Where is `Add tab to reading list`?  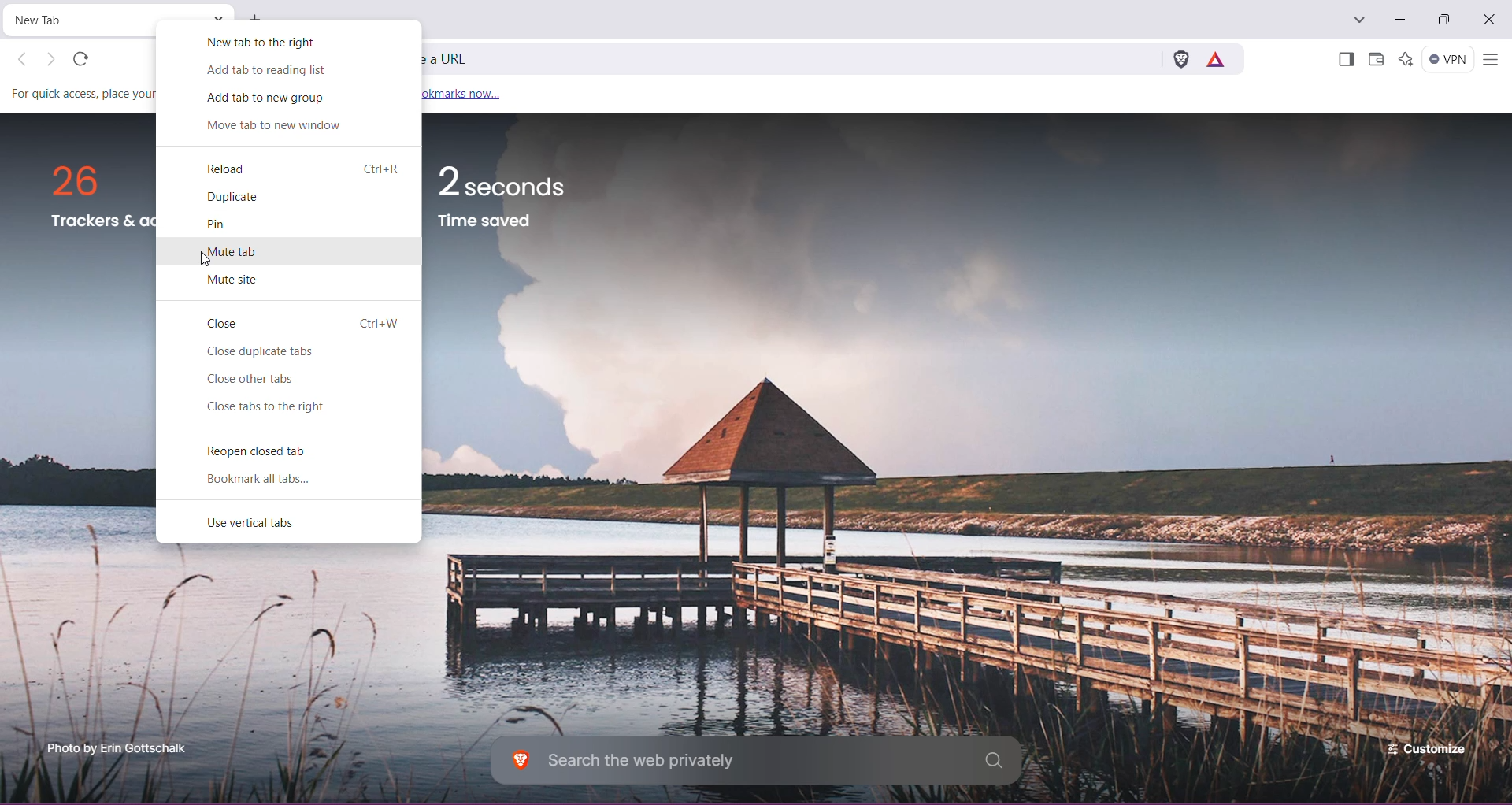 Add tab to reading list is located at coordinates (262, 69).